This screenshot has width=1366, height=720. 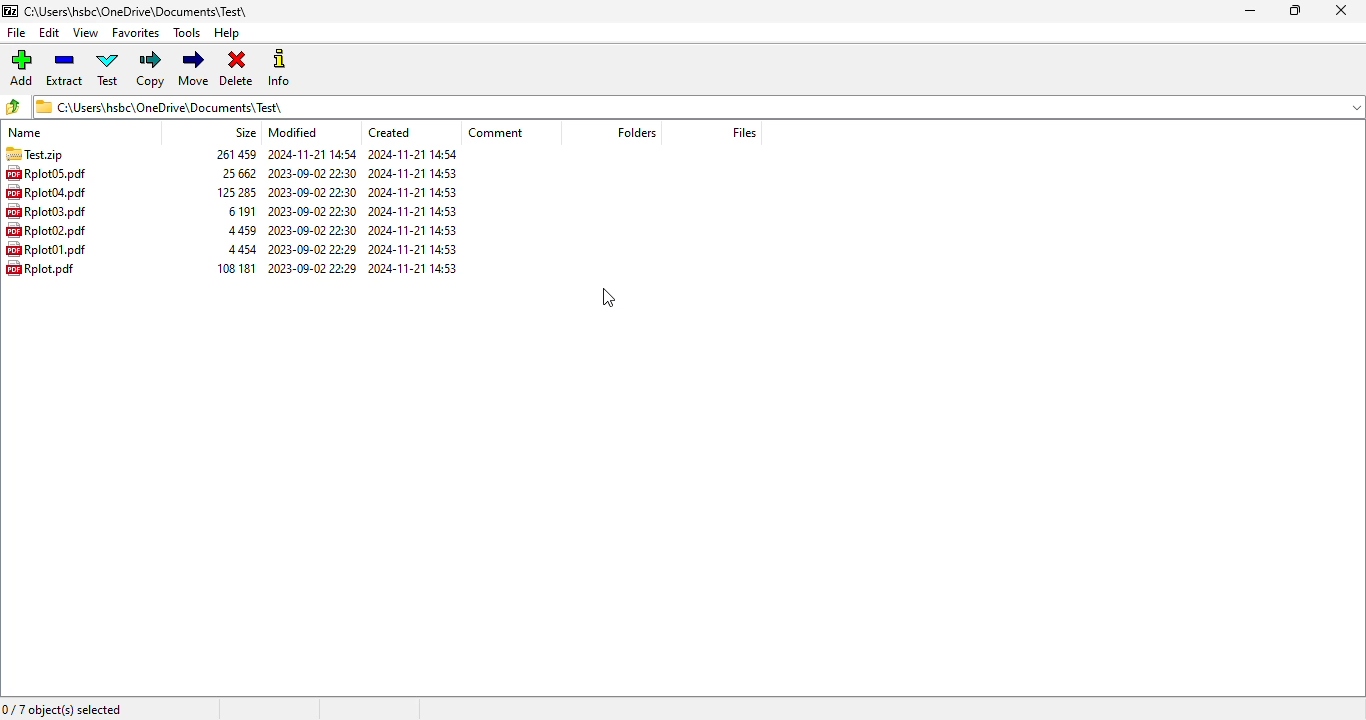 What do you see at coordinates (47, 173) in the screenshot?
I see `rplot05` at bounding box center [47, 173].